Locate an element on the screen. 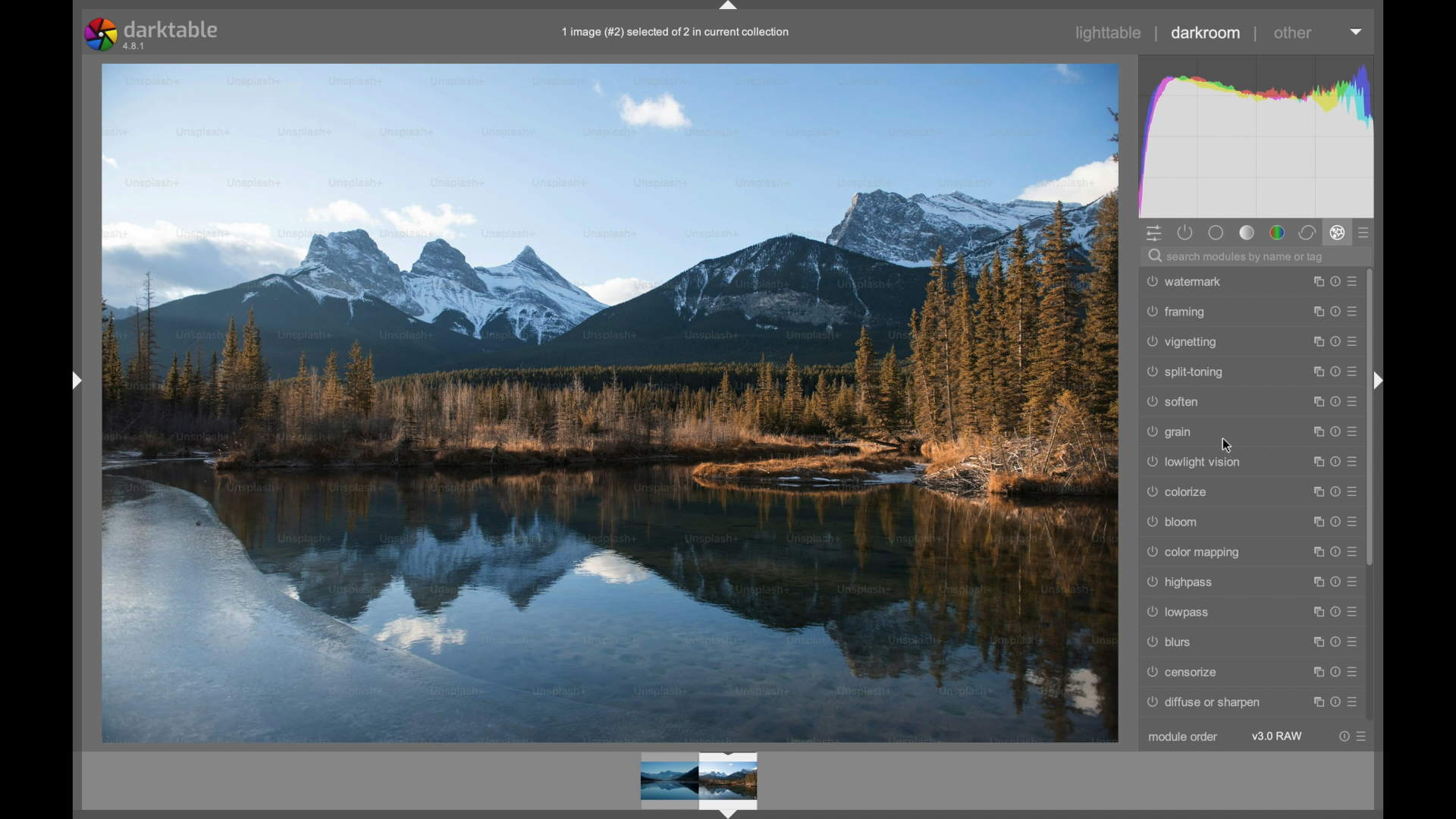 The height and width of the screenshot is (819, 1456). presets is located at coordinates (1357, 611).